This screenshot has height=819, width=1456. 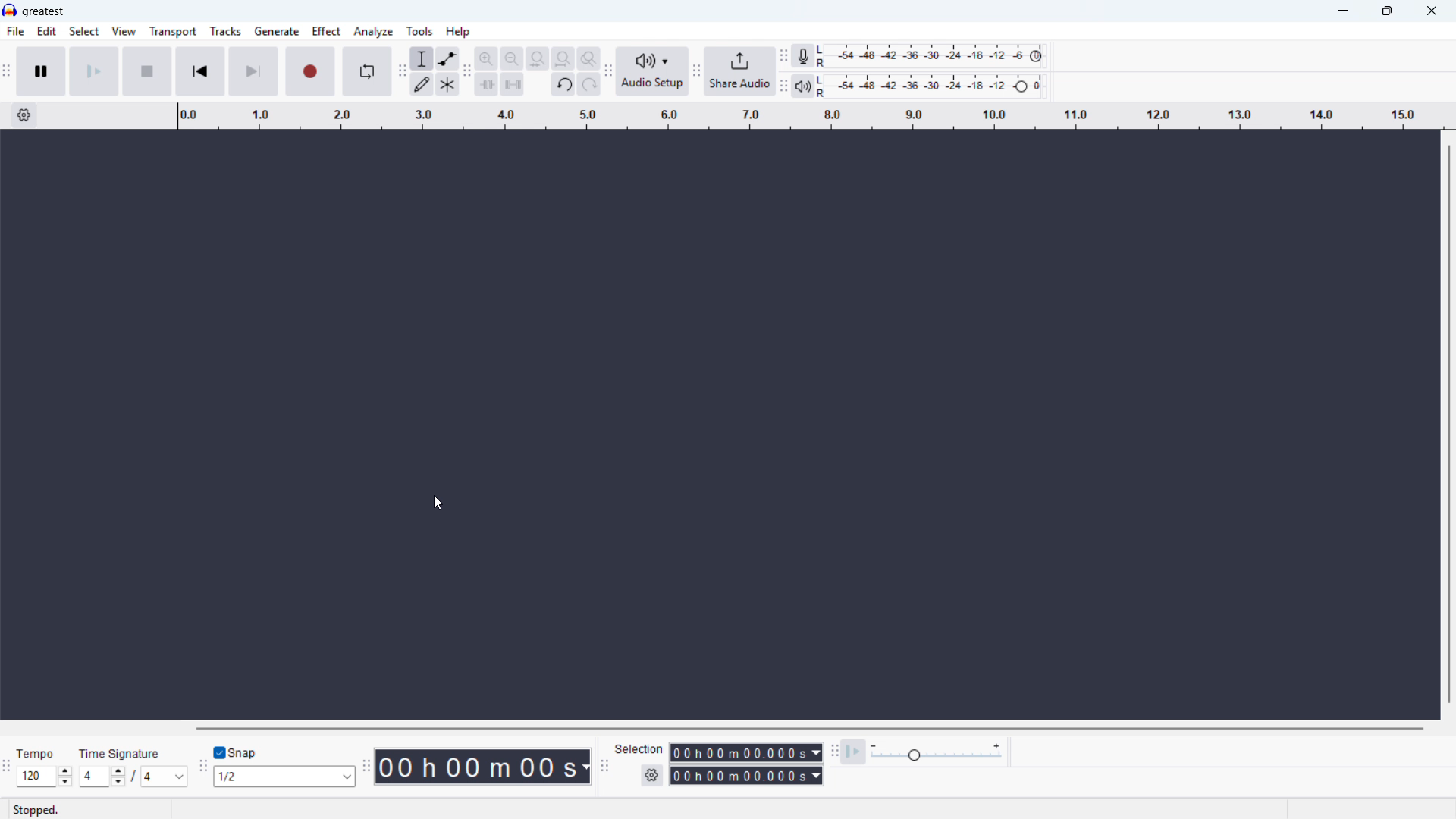 I want to click on Selection end time , so click(x=747, y=777).